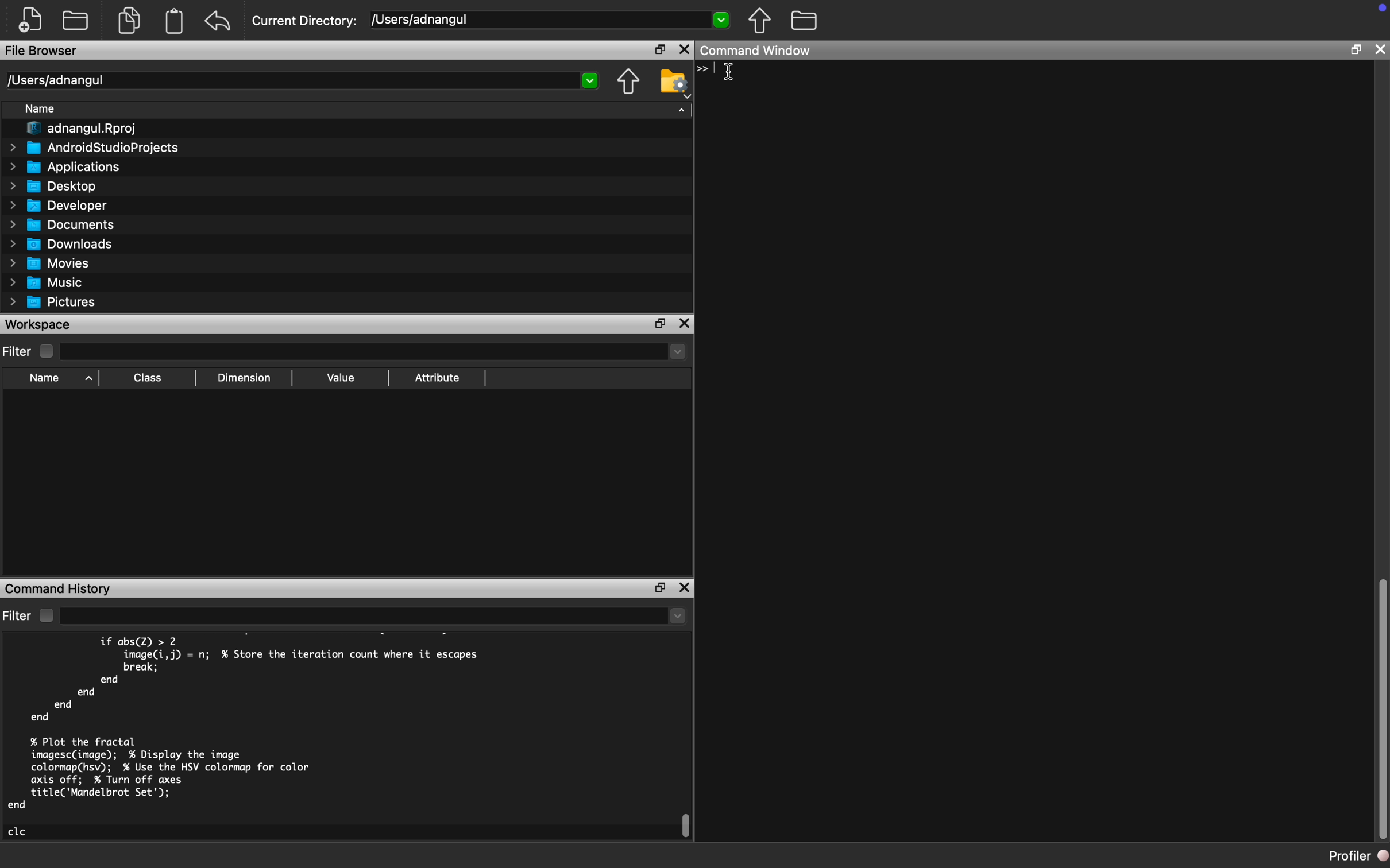 Image resolution: width=1390 pixels, height=868 pixels. I want to click on Dropdown, so click(374, 354).